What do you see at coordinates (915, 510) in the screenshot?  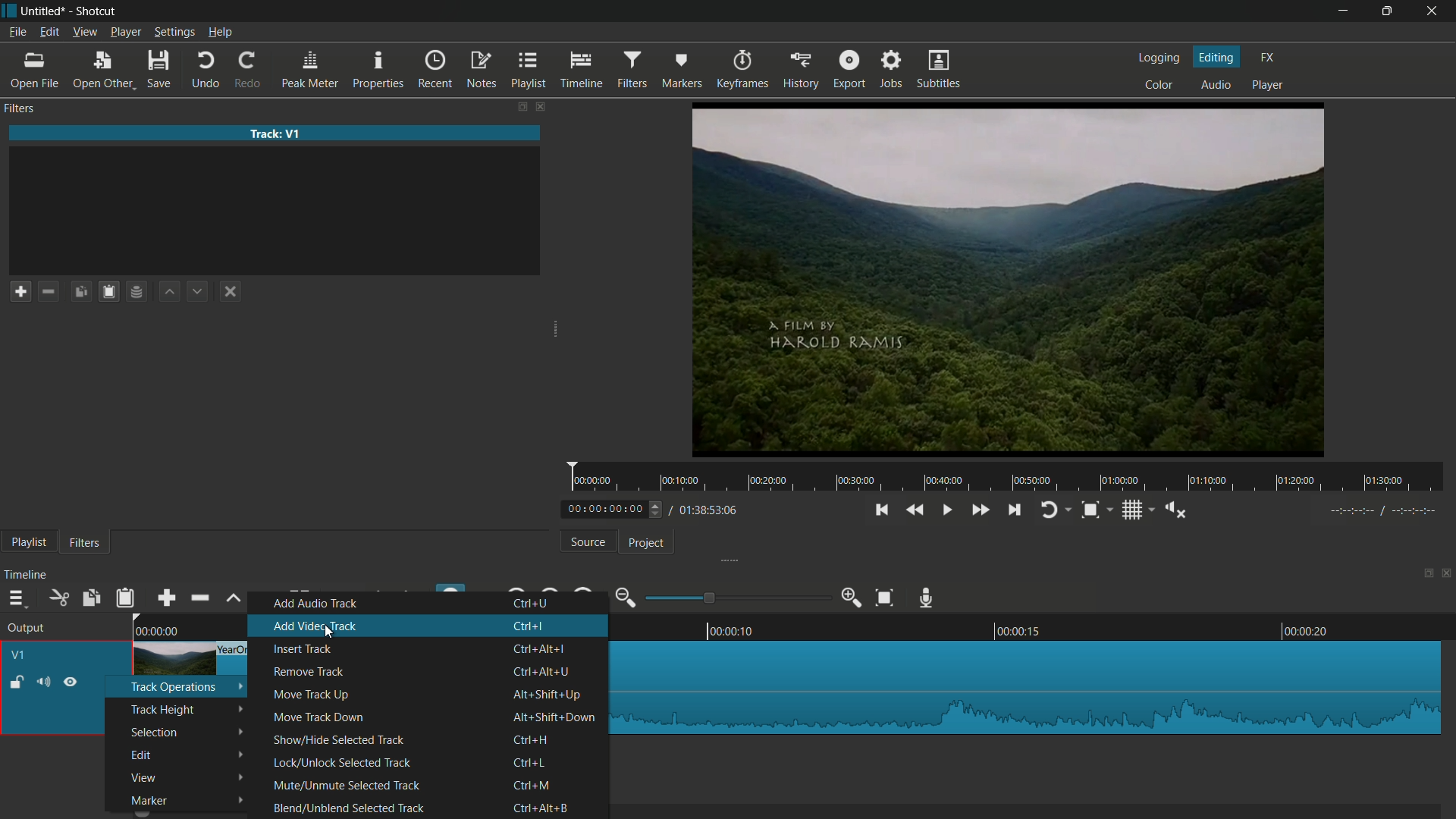 I see `quickly play backward` at bounding box center [915, 510].